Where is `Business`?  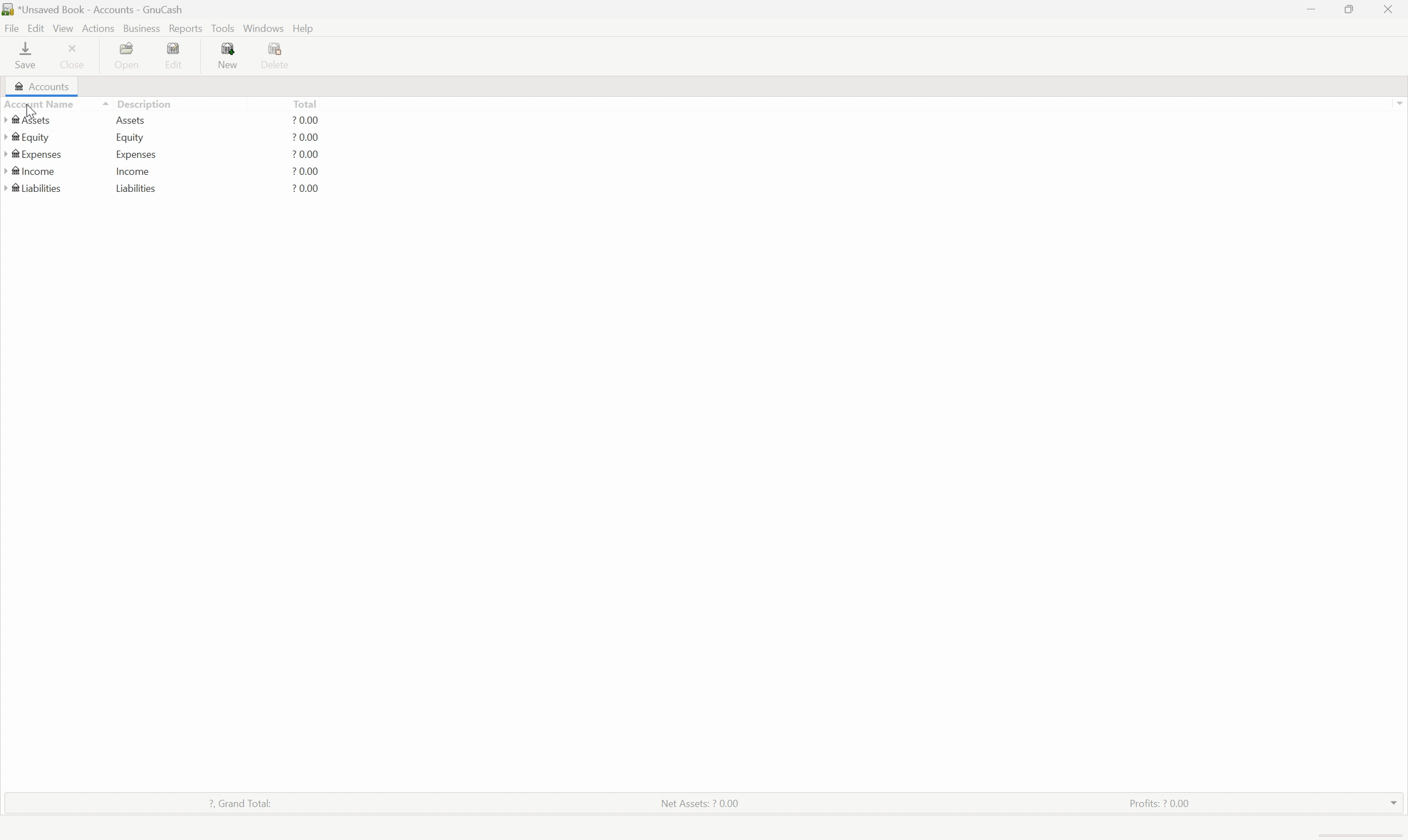 Business is located at coordinates (141, 28).